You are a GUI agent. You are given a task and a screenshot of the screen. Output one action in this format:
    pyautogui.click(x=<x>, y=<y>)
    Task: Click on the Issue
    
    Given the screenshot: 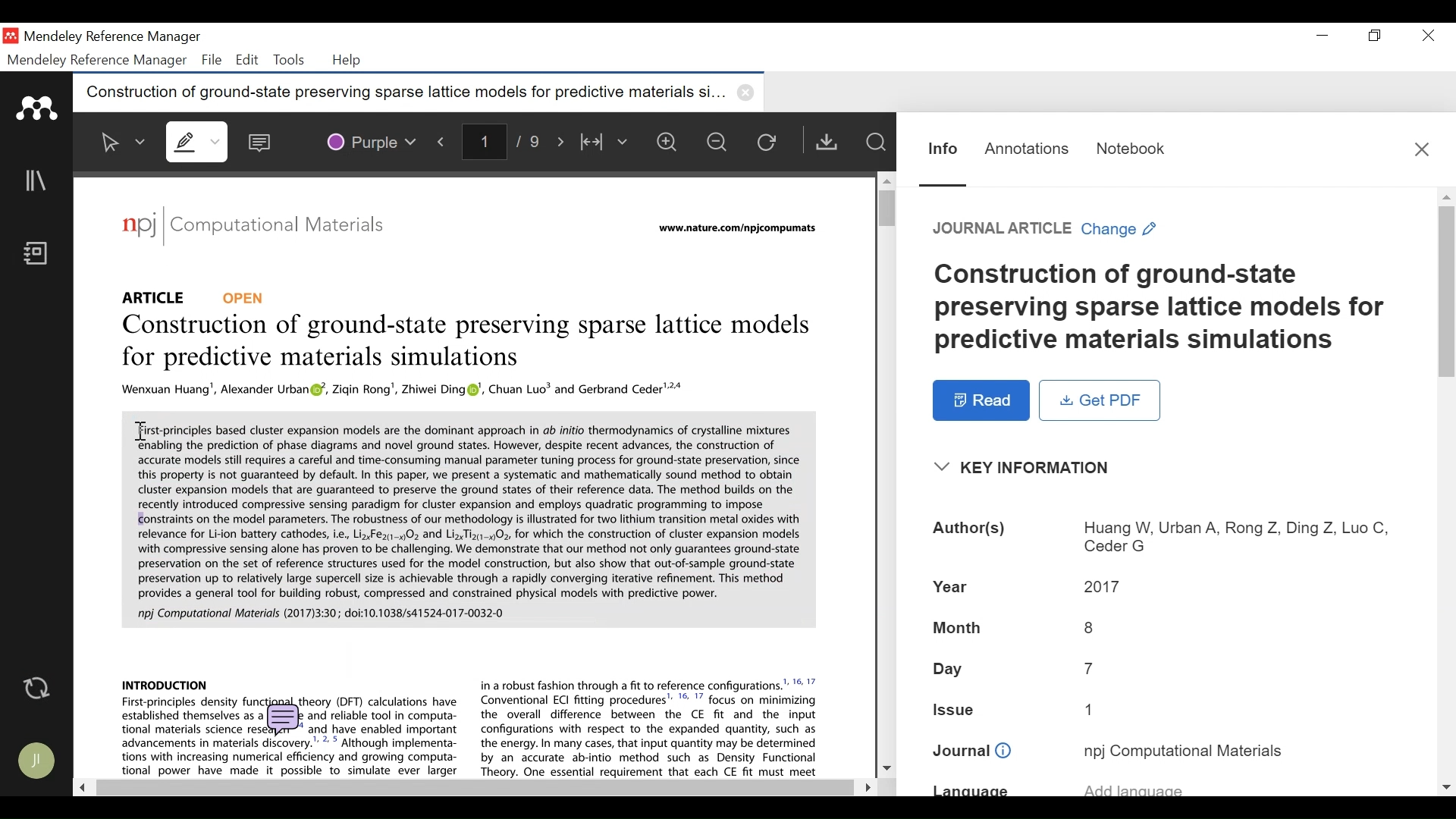 What is the action you would take?
    pyautogui.click(x=955, y=708)
    